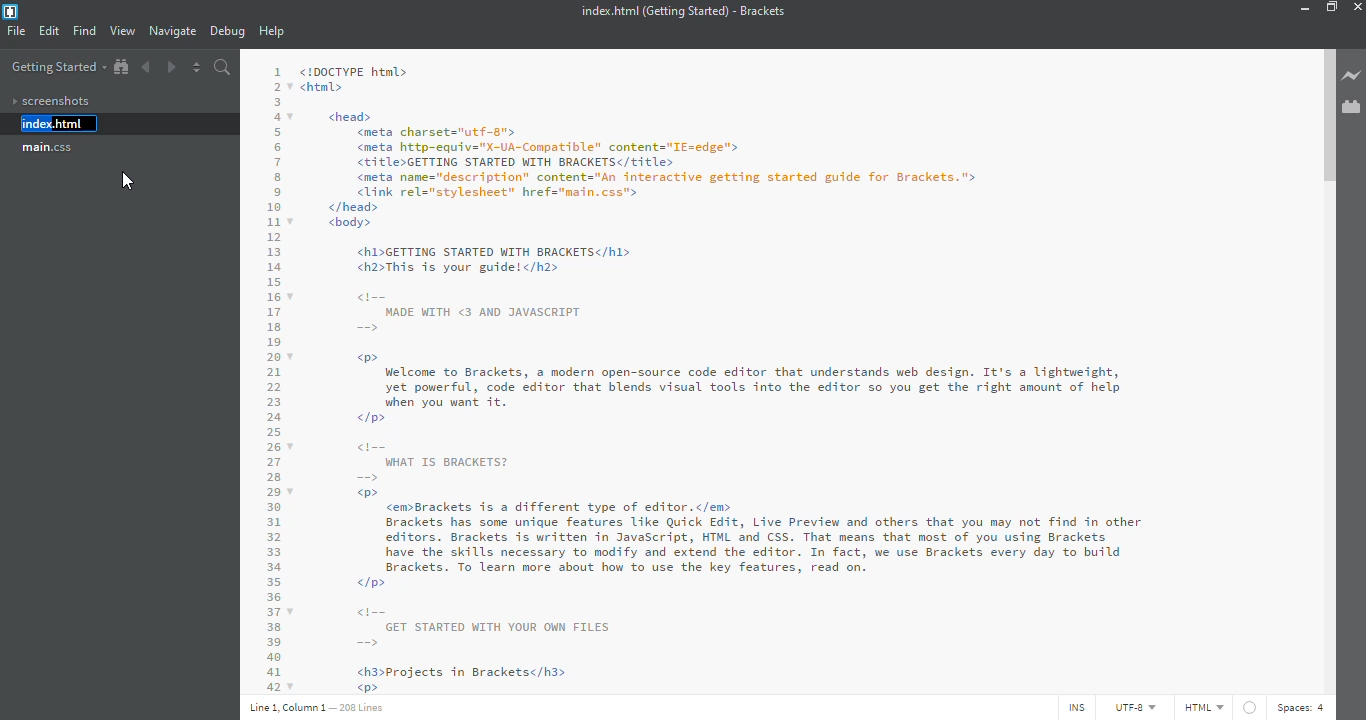  What do you see at coordinates (1326, 119) in the screenshot?
I see `scroll bar` at bounding box center [1326, 119].